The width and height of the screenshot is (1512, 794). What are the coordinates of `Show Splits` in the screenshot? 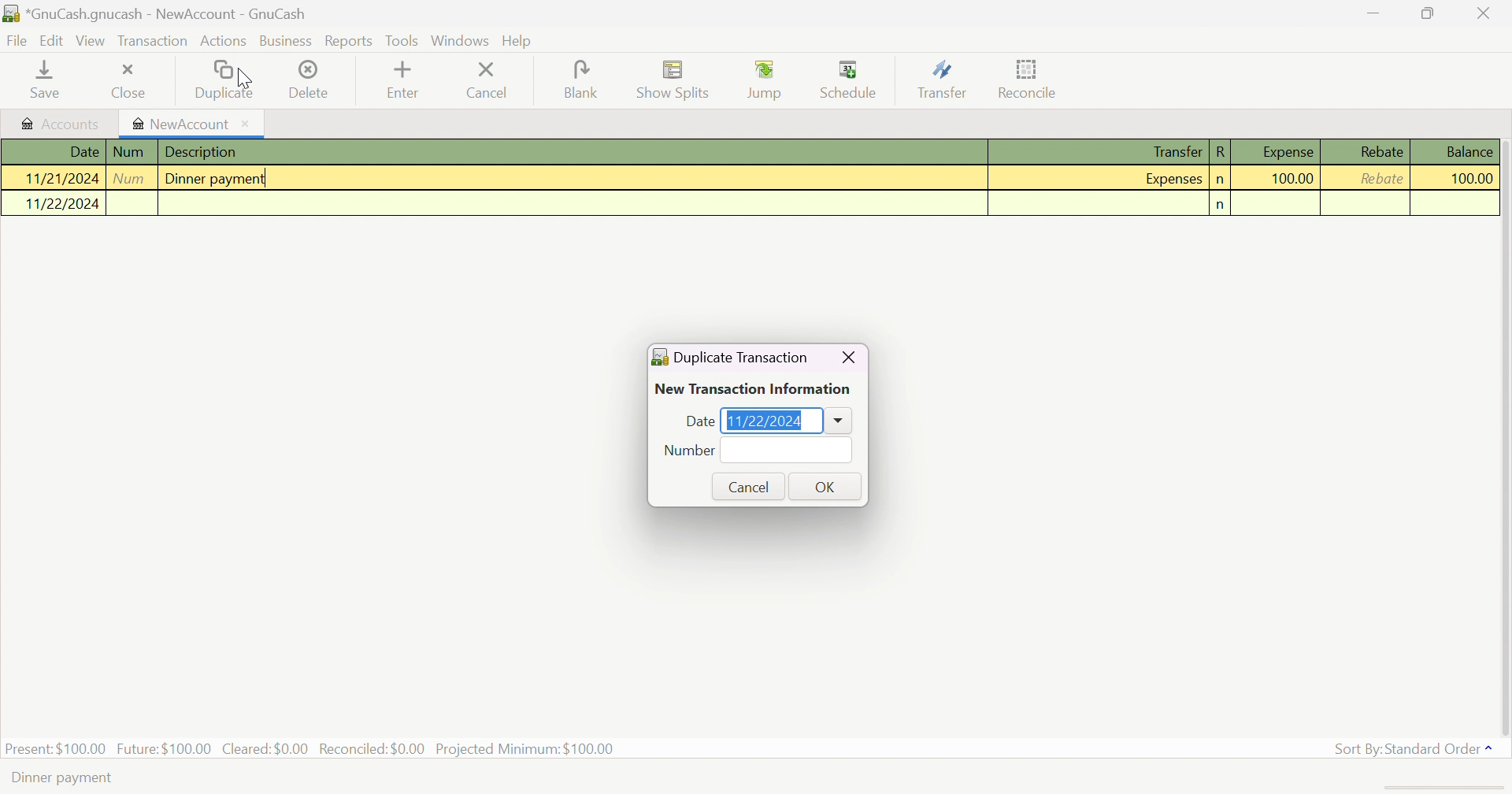 It's located at (670, 81).